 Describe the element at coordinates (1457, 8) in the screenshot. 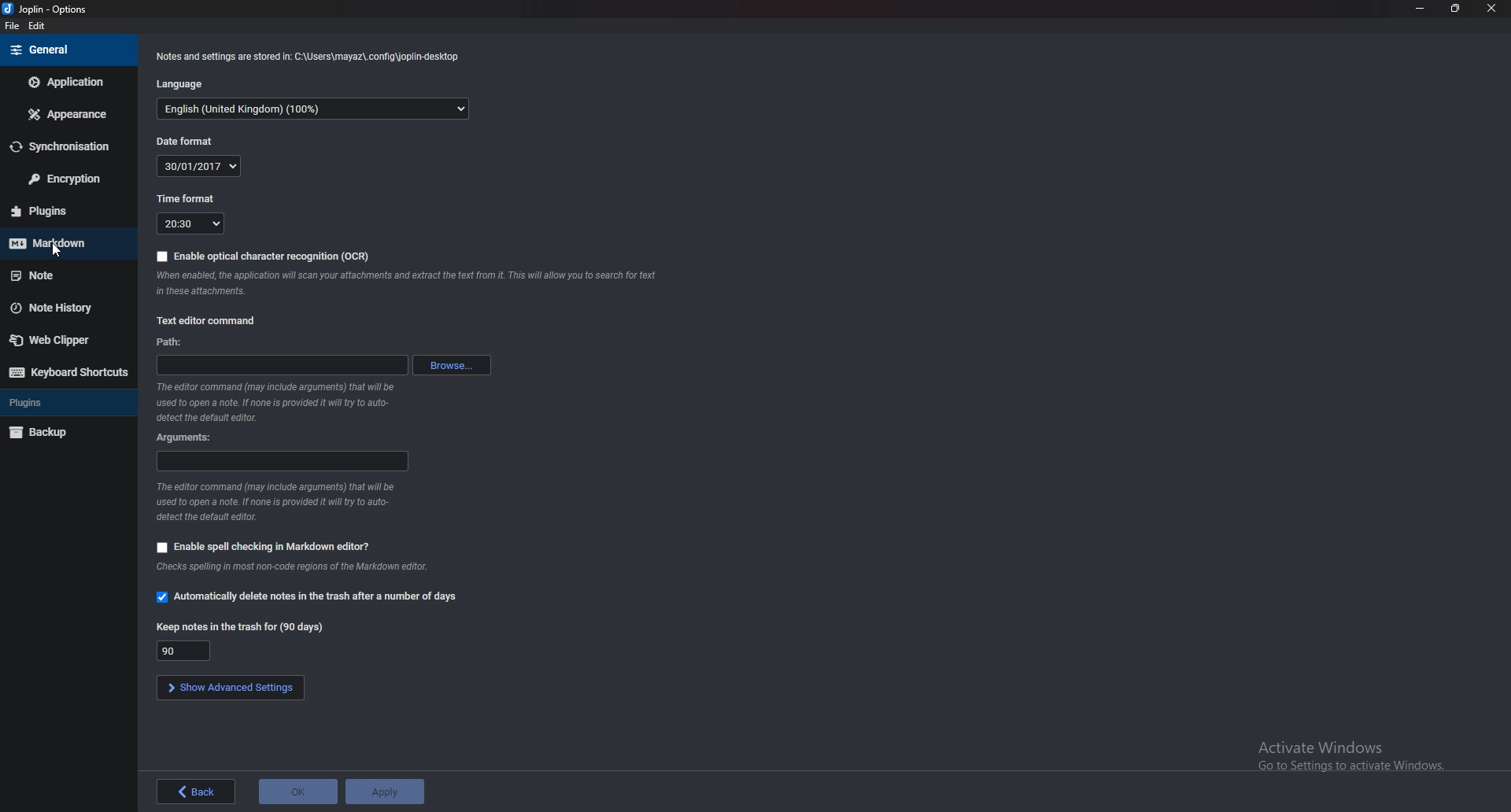

I see `Resize` at that location.